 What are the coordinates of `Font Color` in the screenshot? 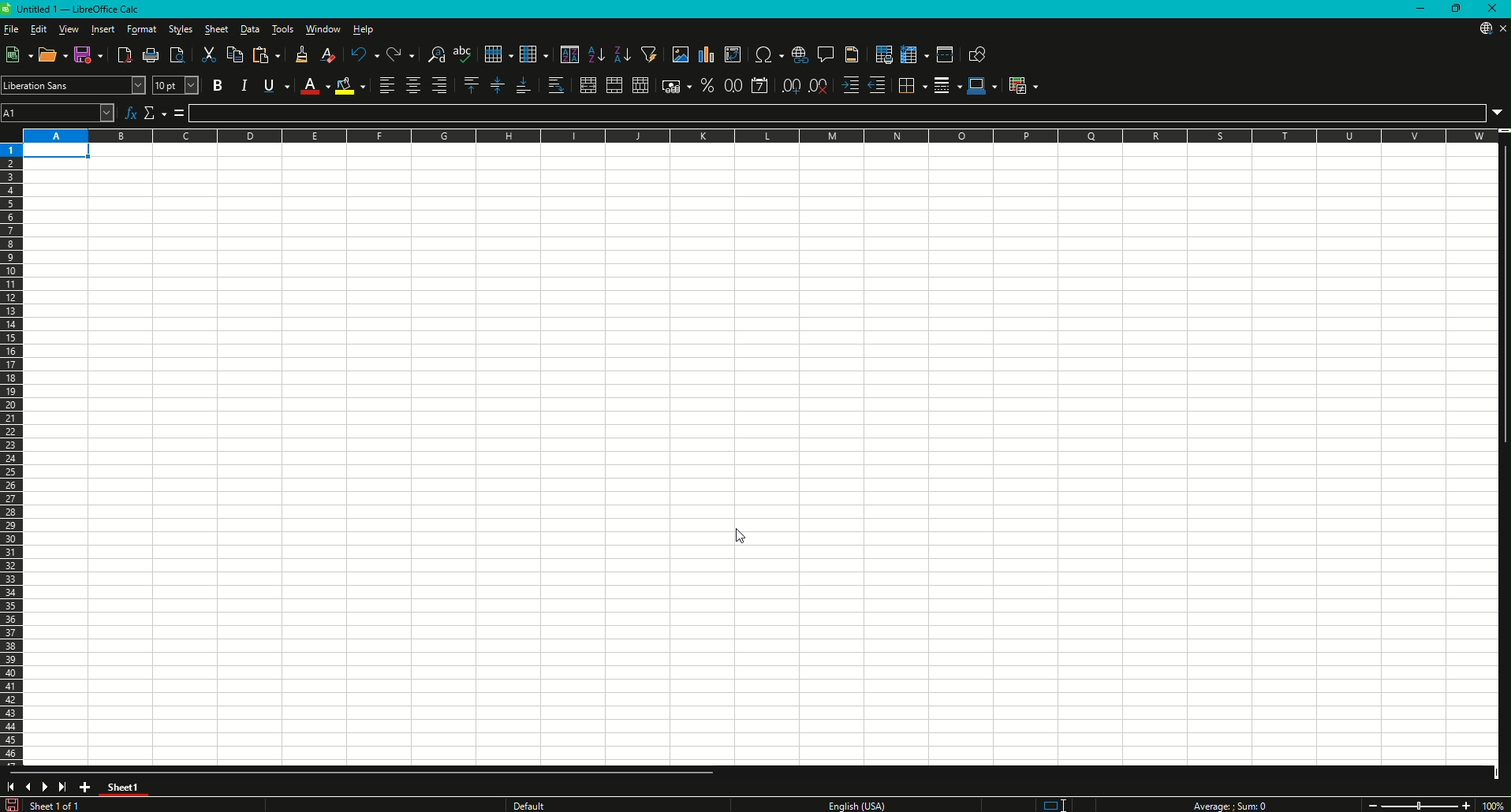 It's located at (315, 86).